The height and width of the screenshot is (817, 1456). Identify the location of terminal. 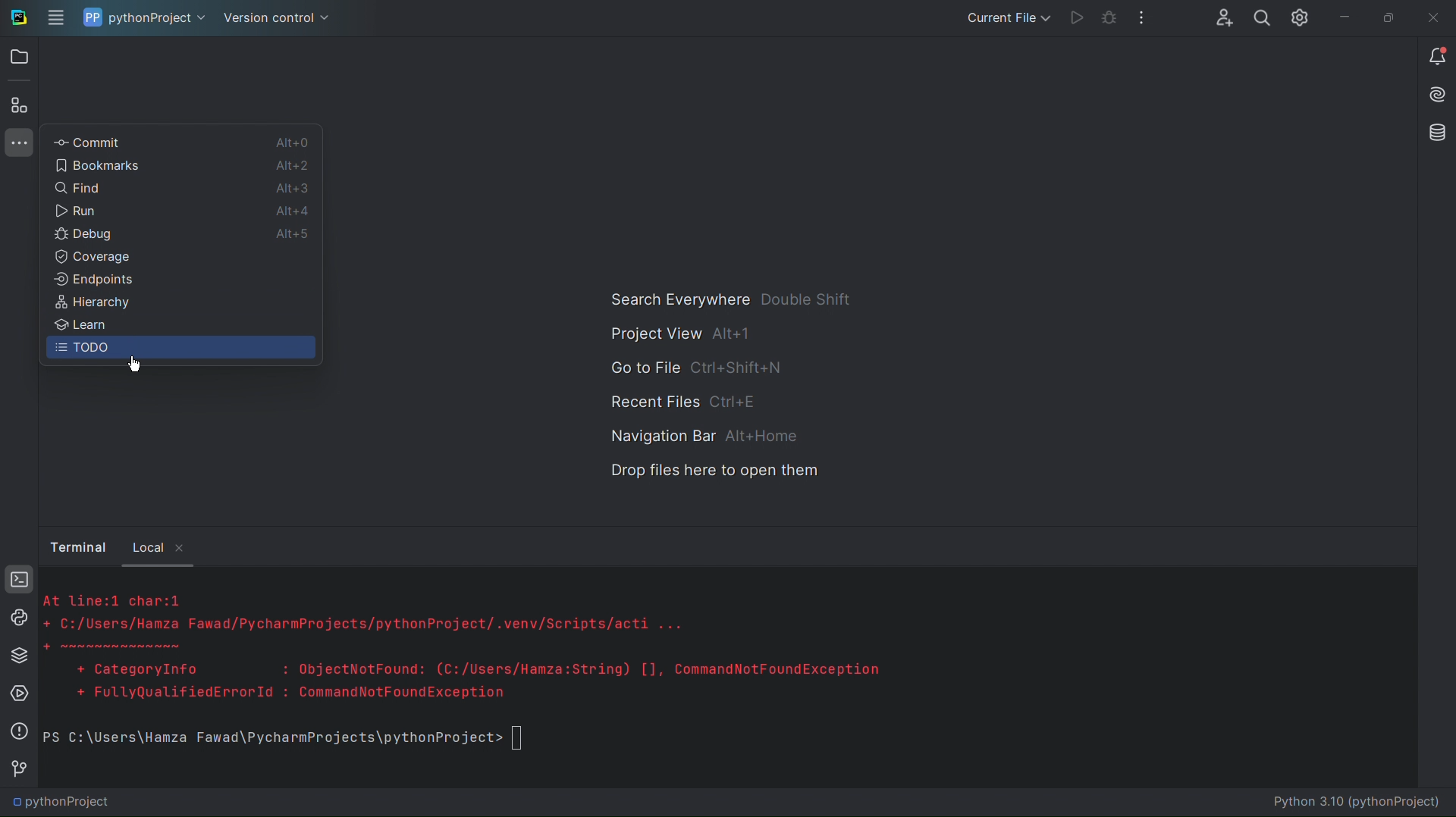
(79, 546).